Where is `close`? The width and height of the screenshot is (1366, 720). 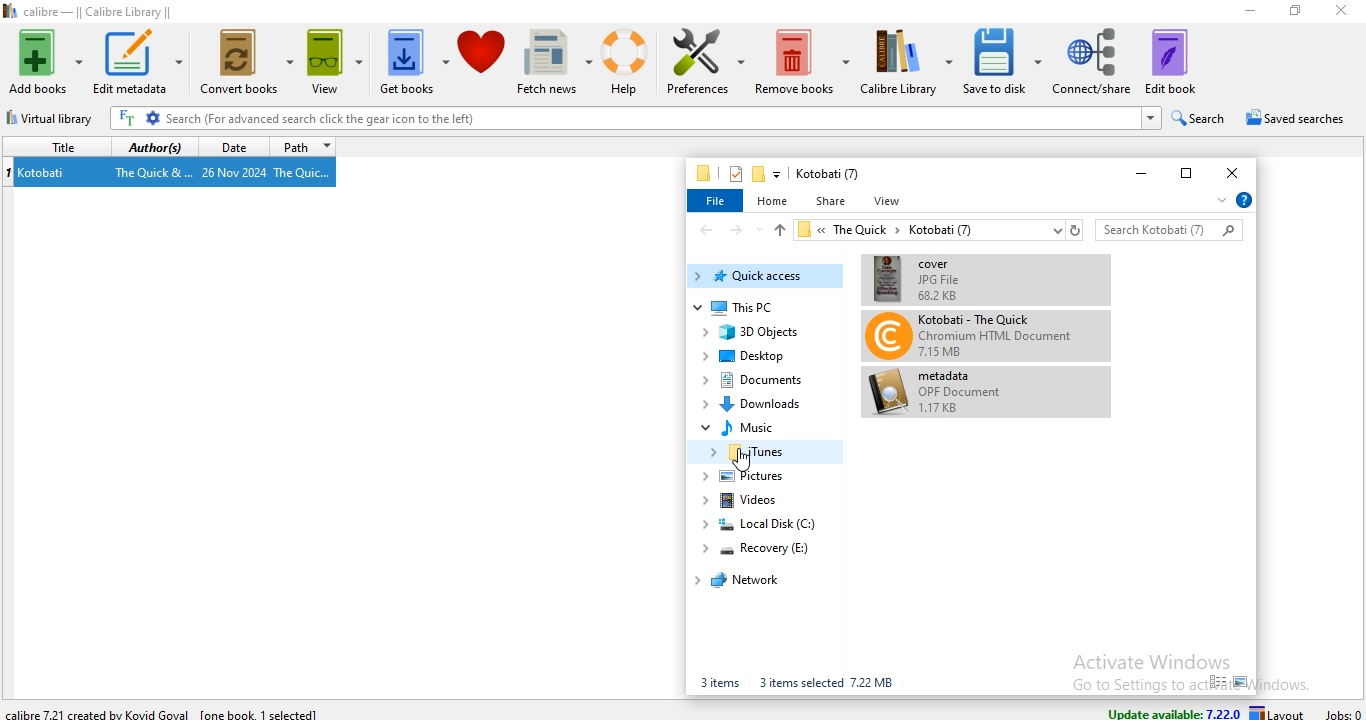 close is located at coordinates (1235, 170).